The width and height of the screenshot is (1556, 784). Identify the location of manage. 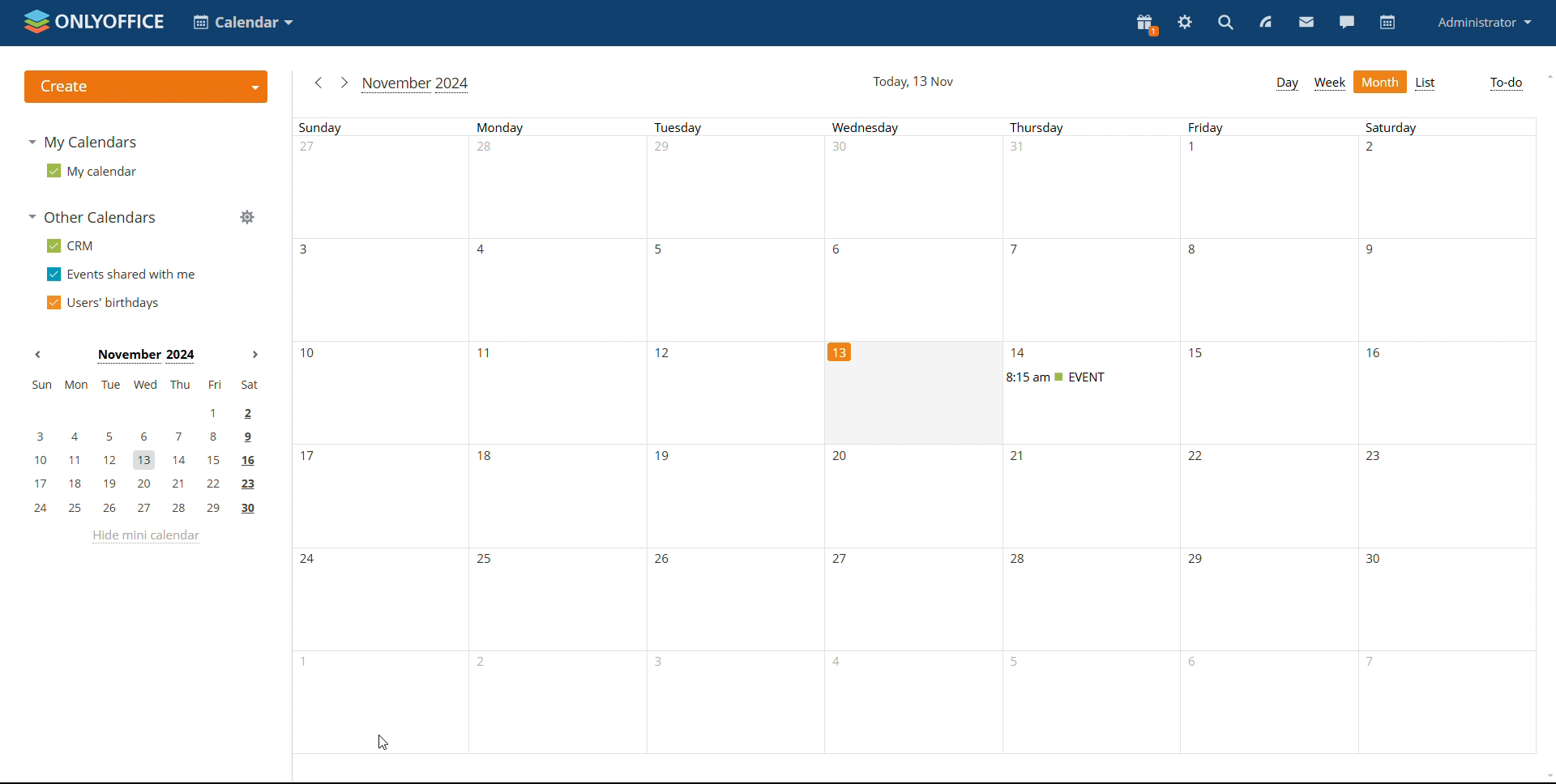
(246, 218).